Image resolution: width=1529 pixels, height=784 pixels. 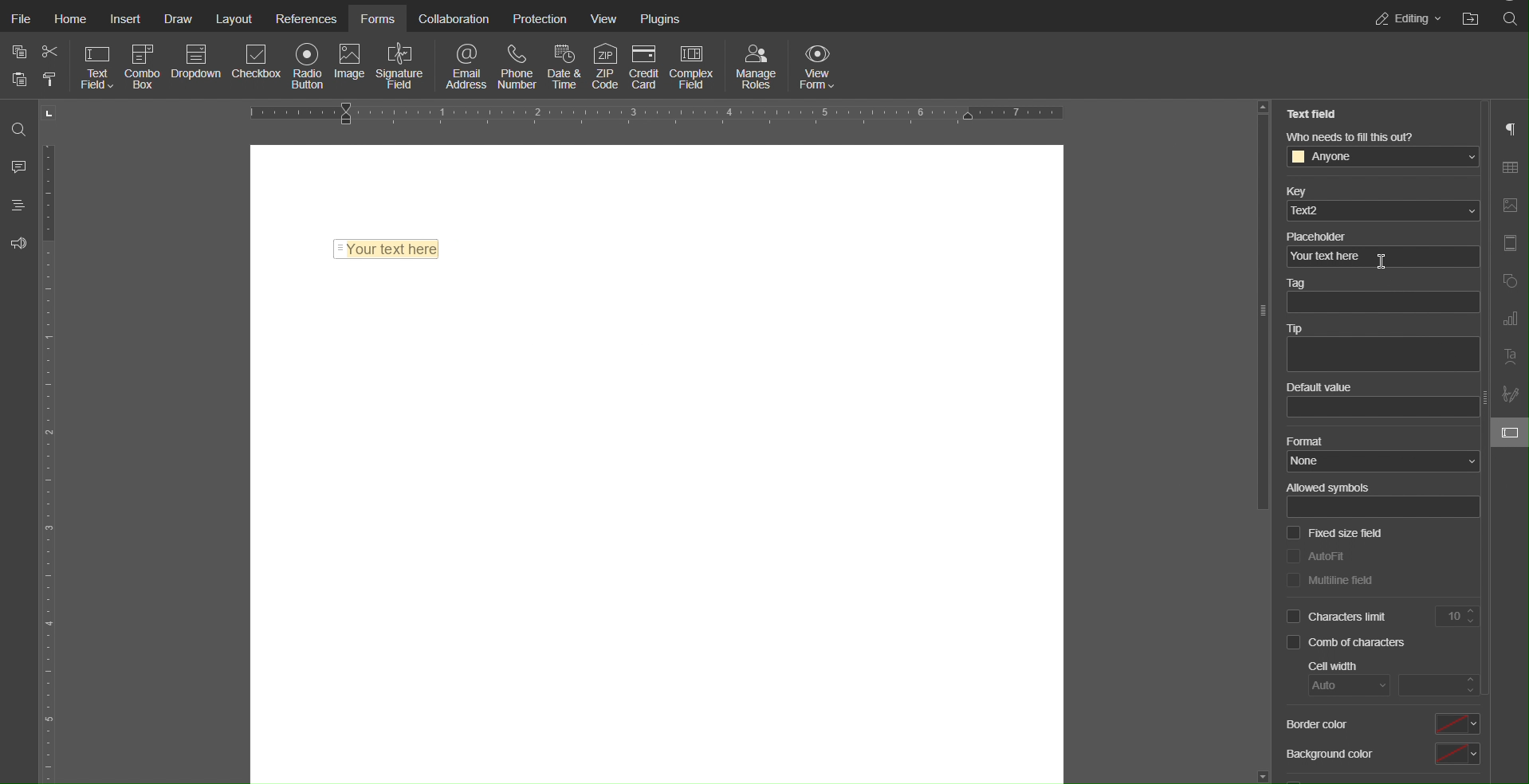 I want to click on Feedback & Support, so click(x=20, y=244).